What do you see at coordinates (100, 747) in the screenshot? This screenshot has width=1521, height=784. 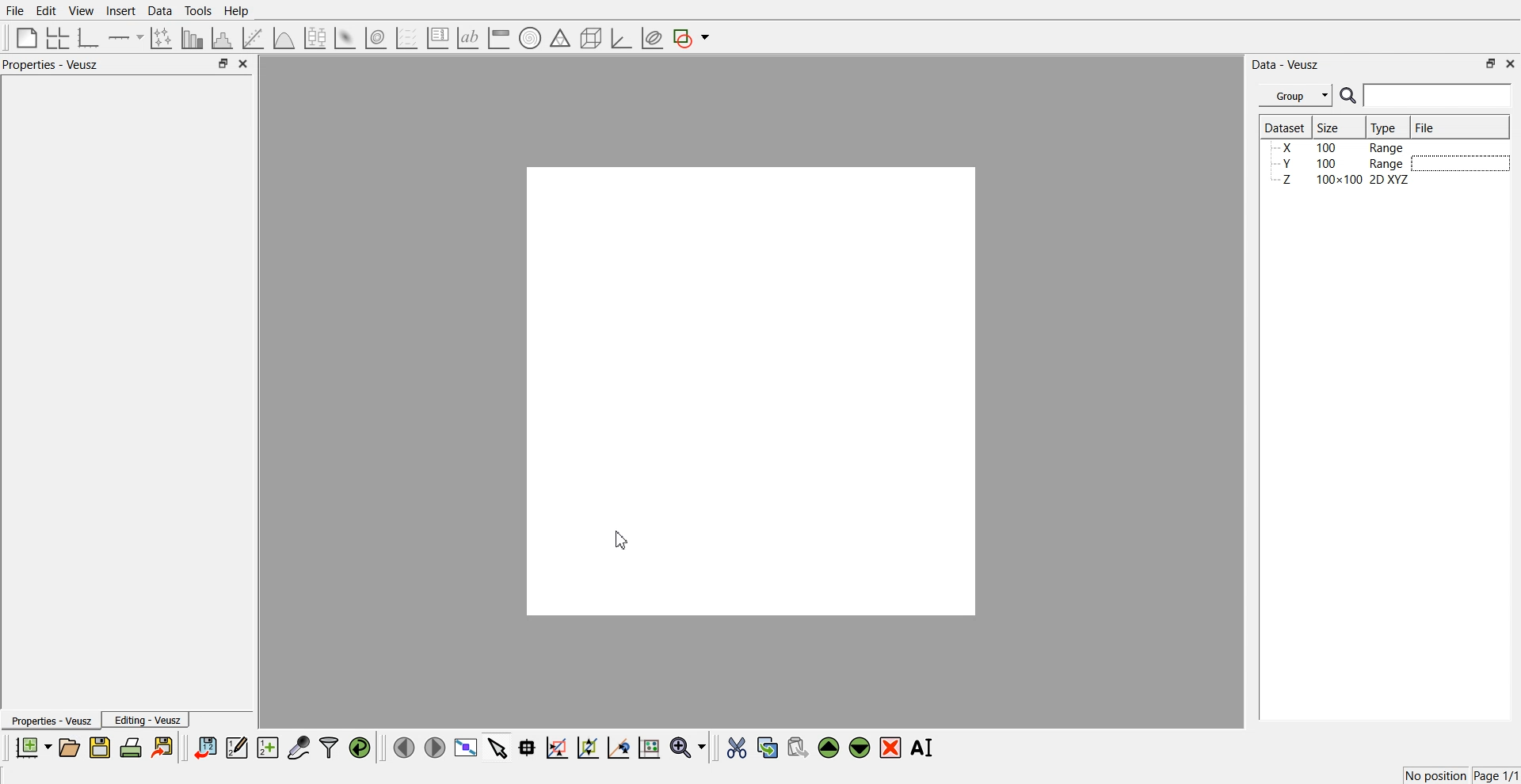 I see `Save the document` at bounding box center [100, 747].